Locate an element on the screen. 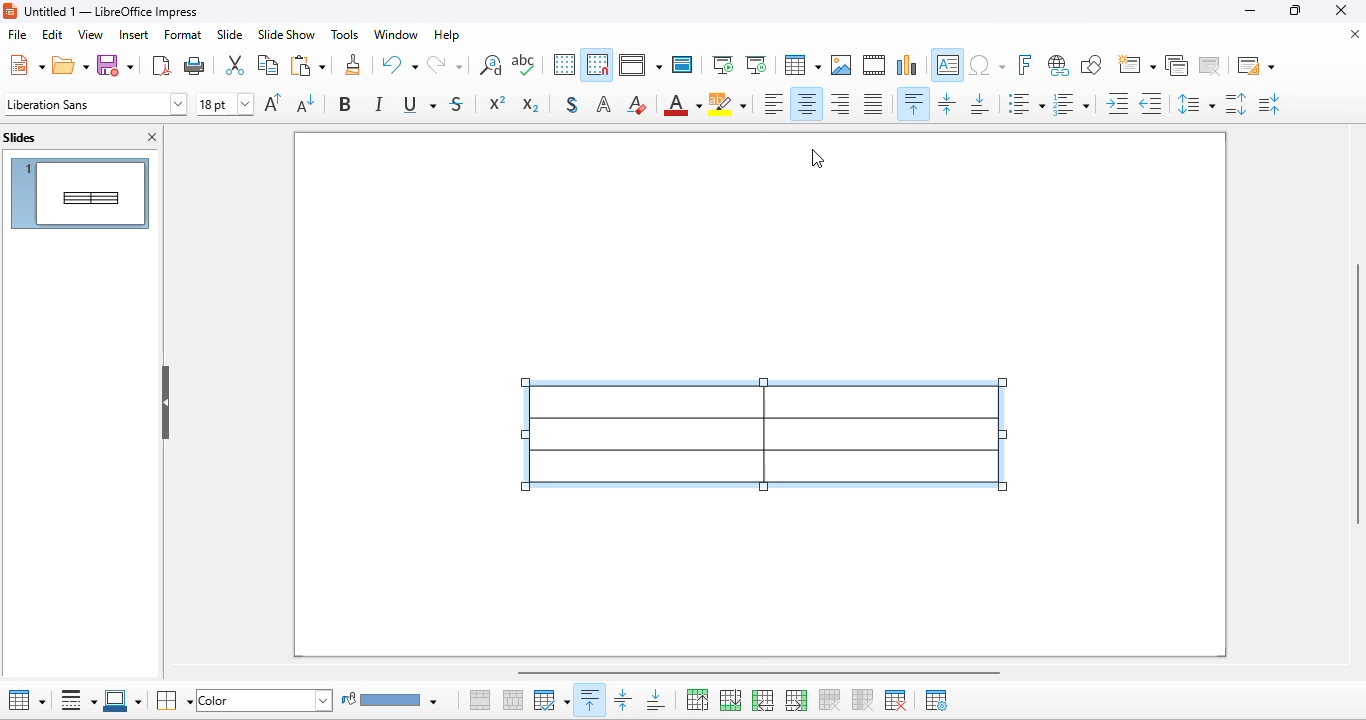 The width and height of the screenshot is (1366, 720). redo is located at coordinates (444, 64).